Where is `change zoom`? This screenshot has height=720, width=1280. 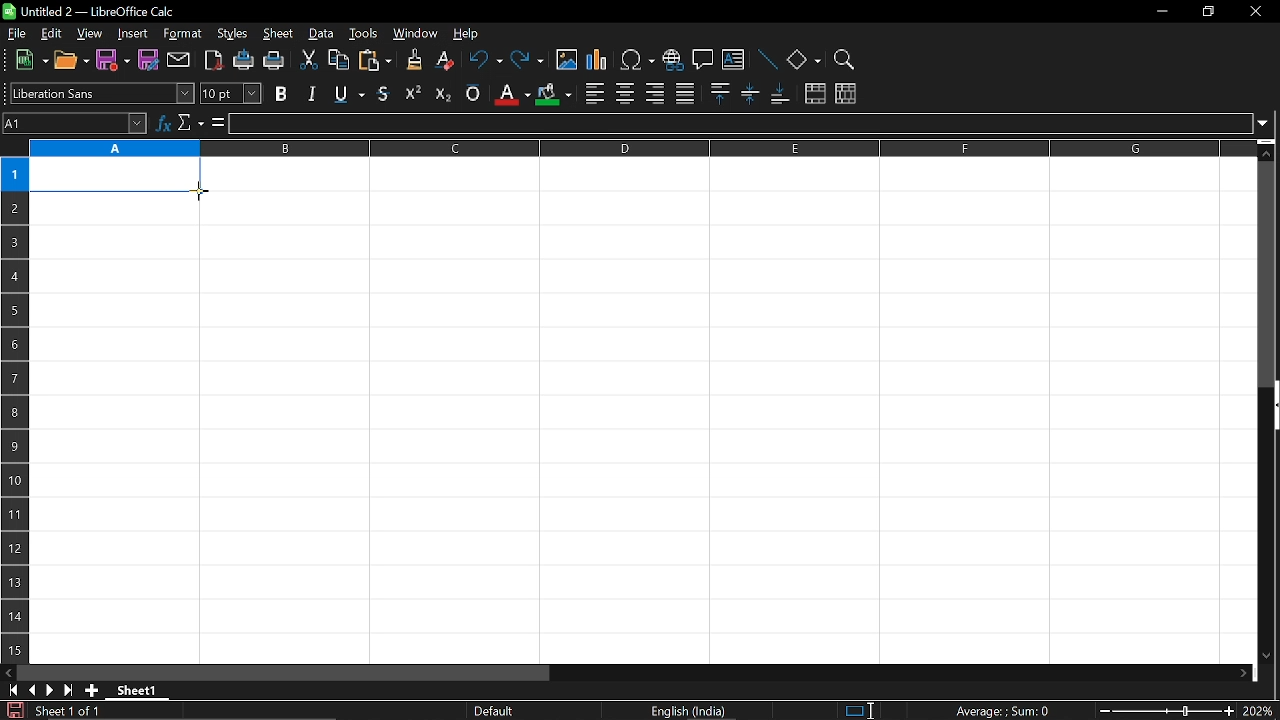 change zoom is located at coordinates (1163, 711).